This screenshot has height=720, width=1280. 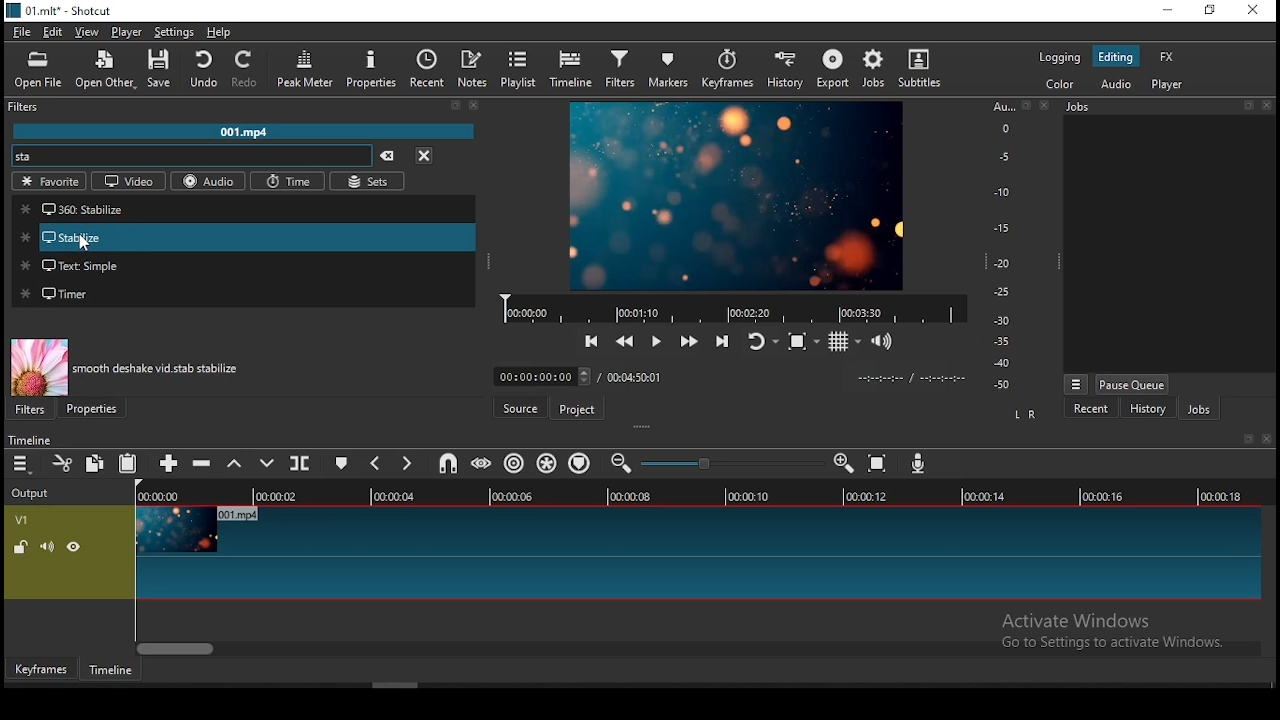 I want to click on time, so click(x=289, y=182).